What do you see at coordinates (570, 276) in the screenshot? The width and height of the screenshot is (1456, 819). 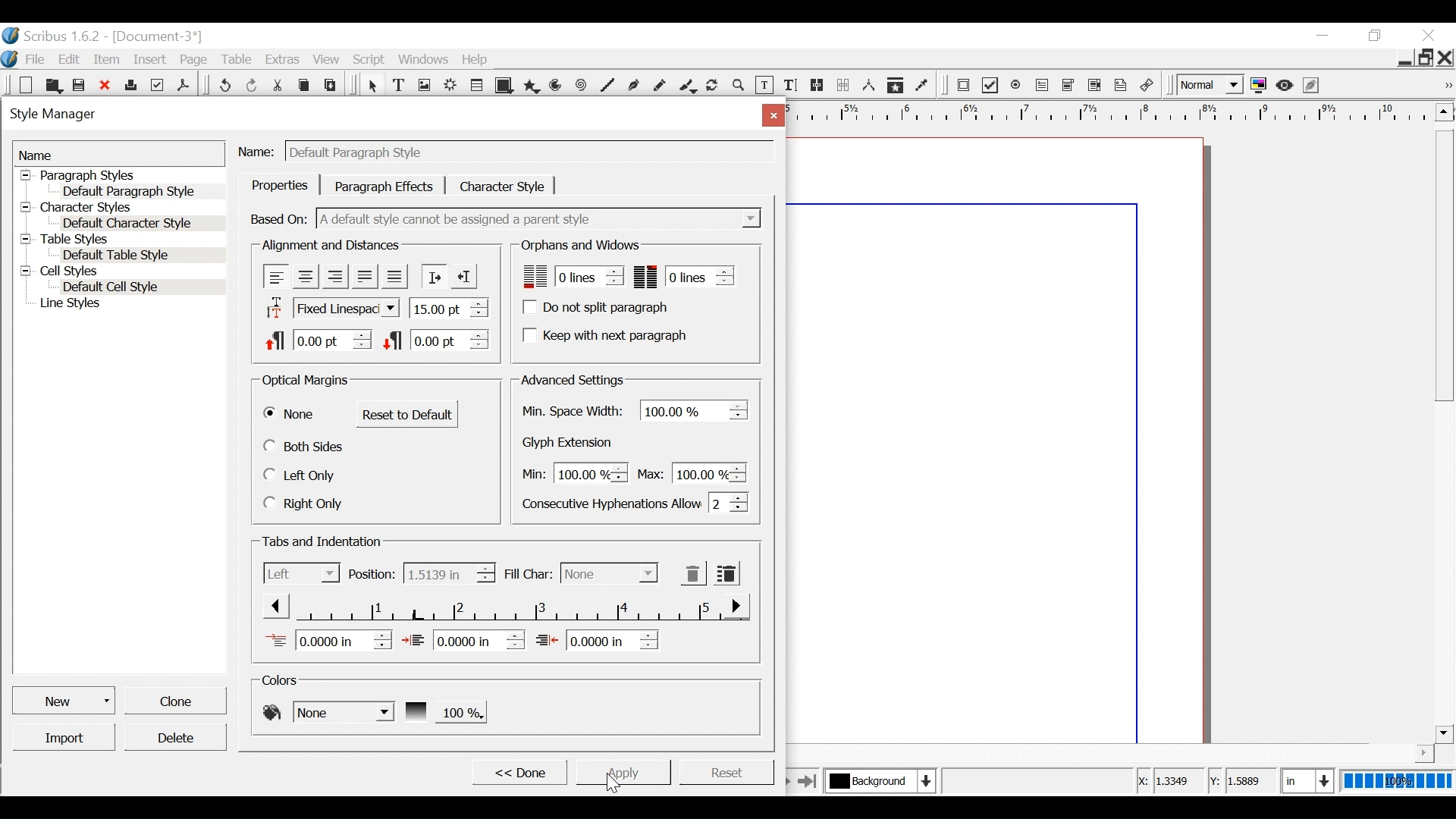 I see `Ensure that the first line of the paragraph wont end up seperated` at bounding box center [570, 276].